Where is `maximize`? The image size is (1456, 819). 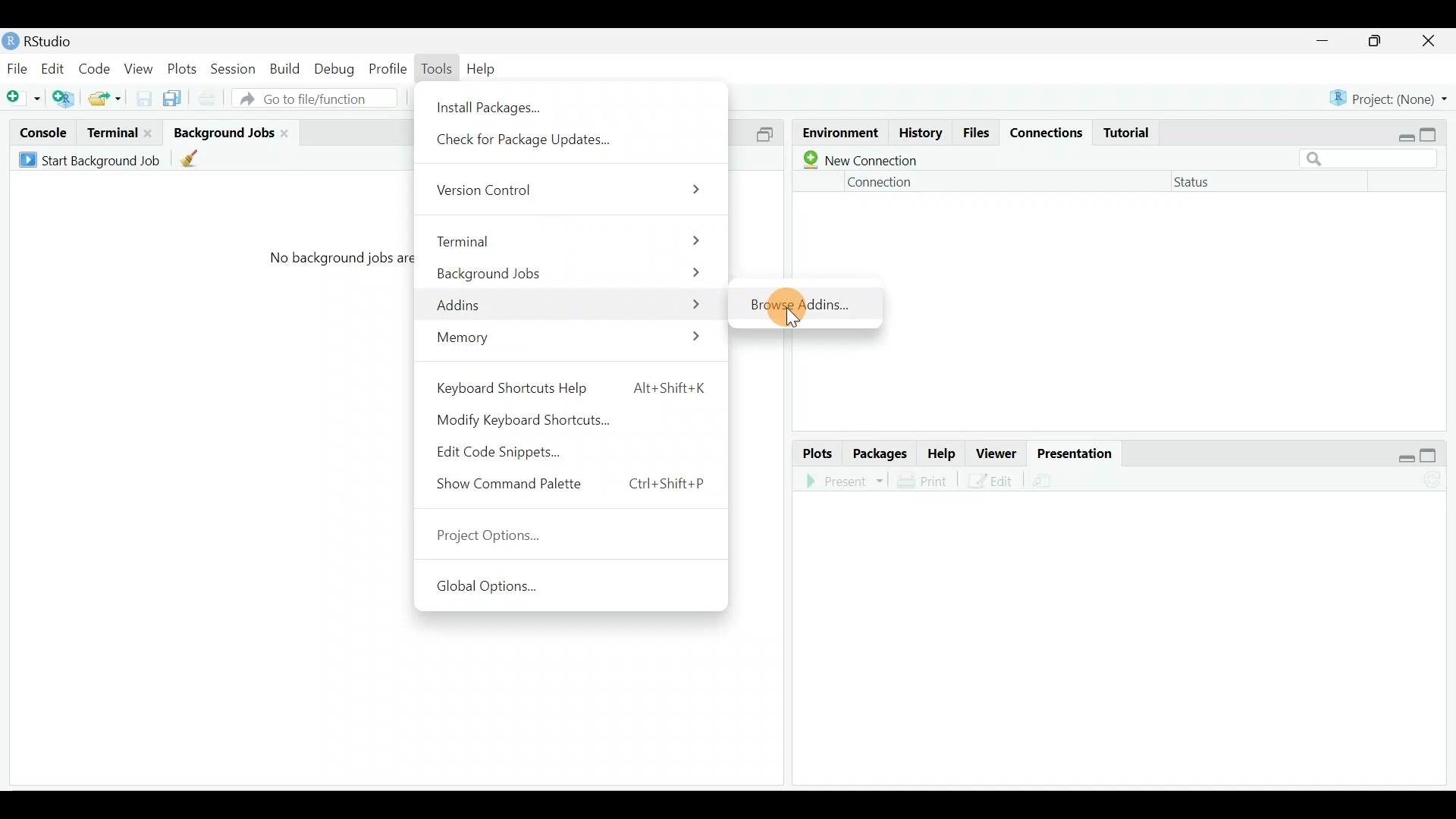 maximize is located at coordinates (1376, 42).